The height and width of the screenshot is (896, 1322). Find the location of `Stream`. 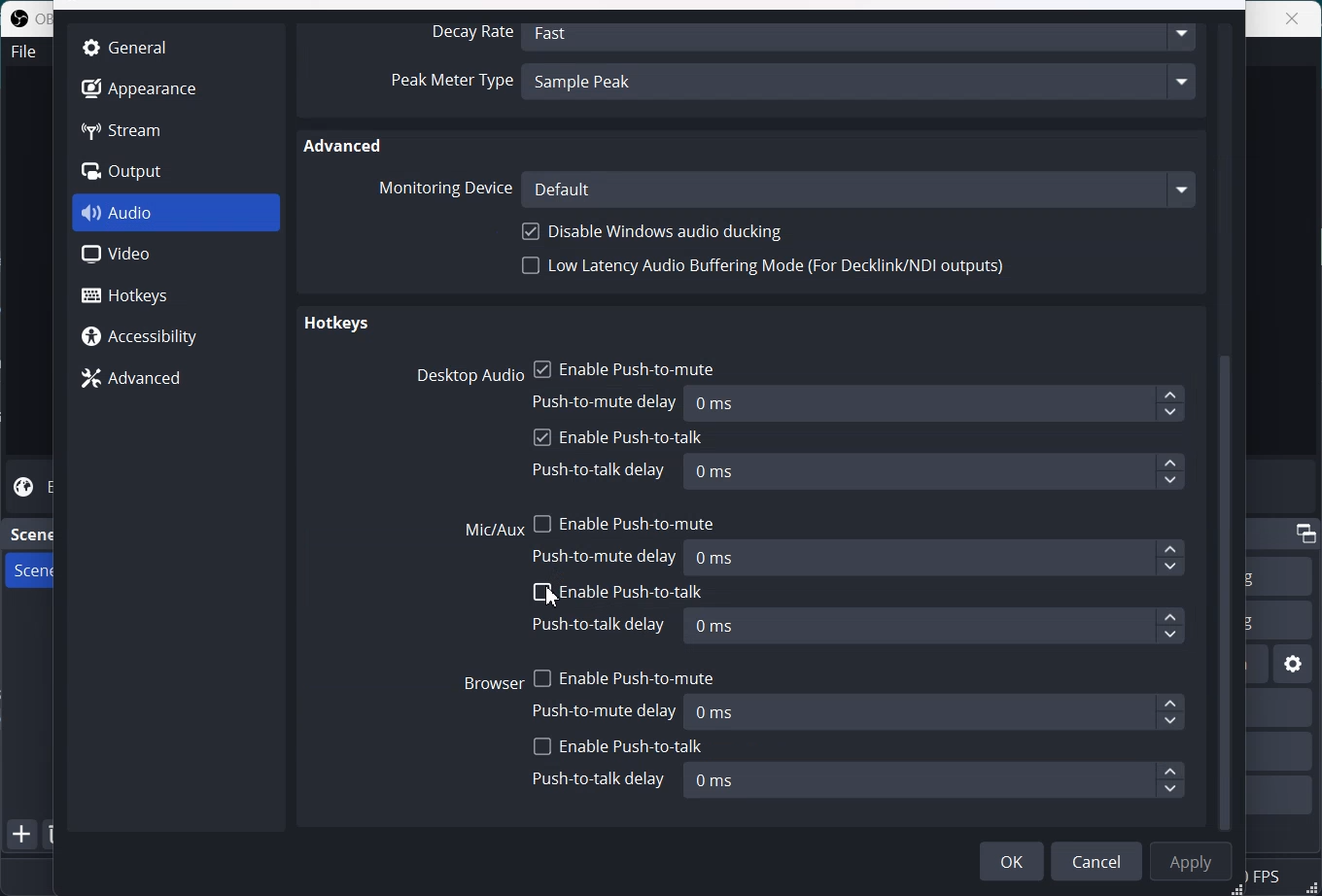

Stream is located at coordinates (138, 129).